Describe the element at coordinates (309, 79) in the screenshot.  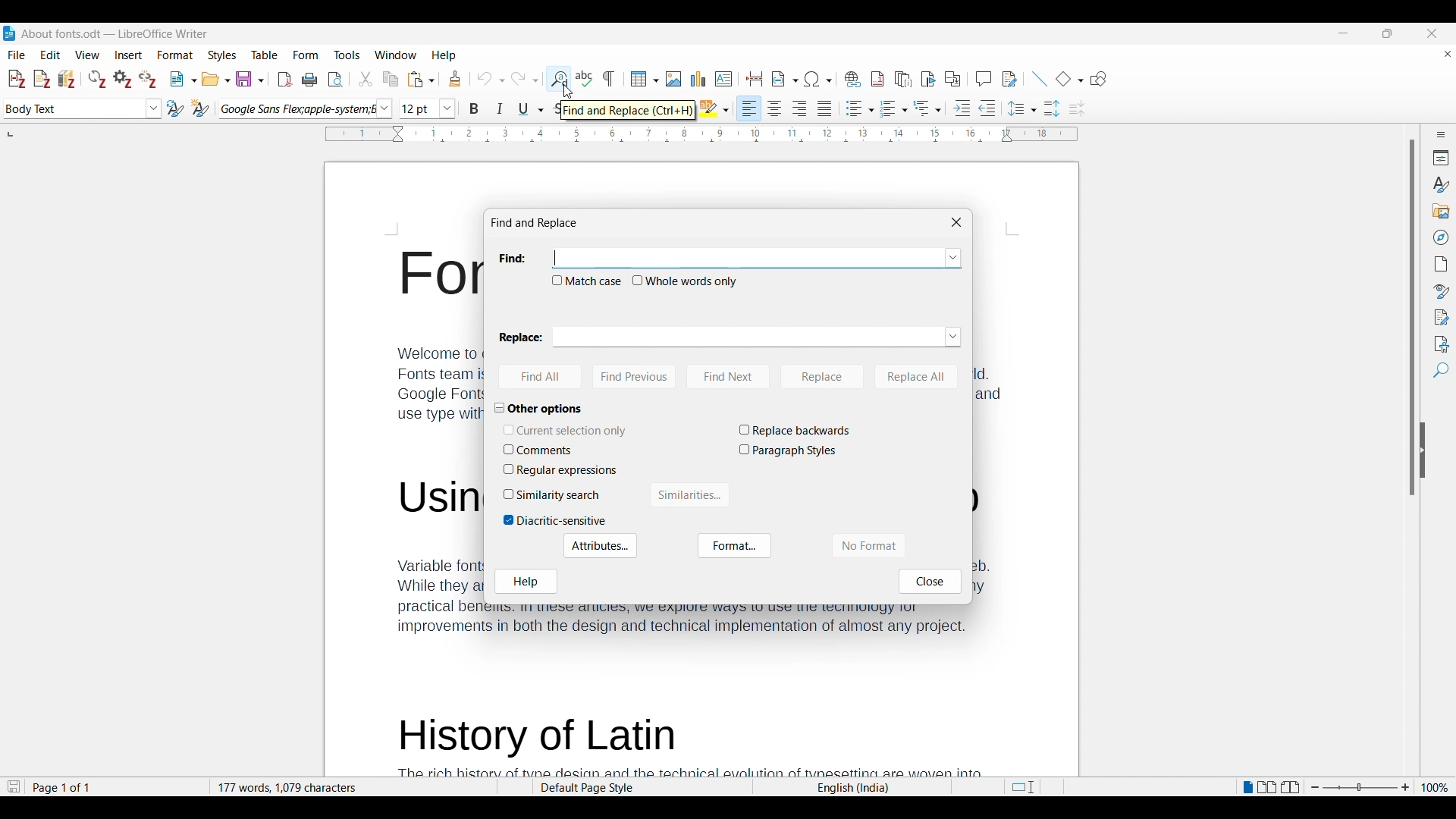
I see `Print` at that location.